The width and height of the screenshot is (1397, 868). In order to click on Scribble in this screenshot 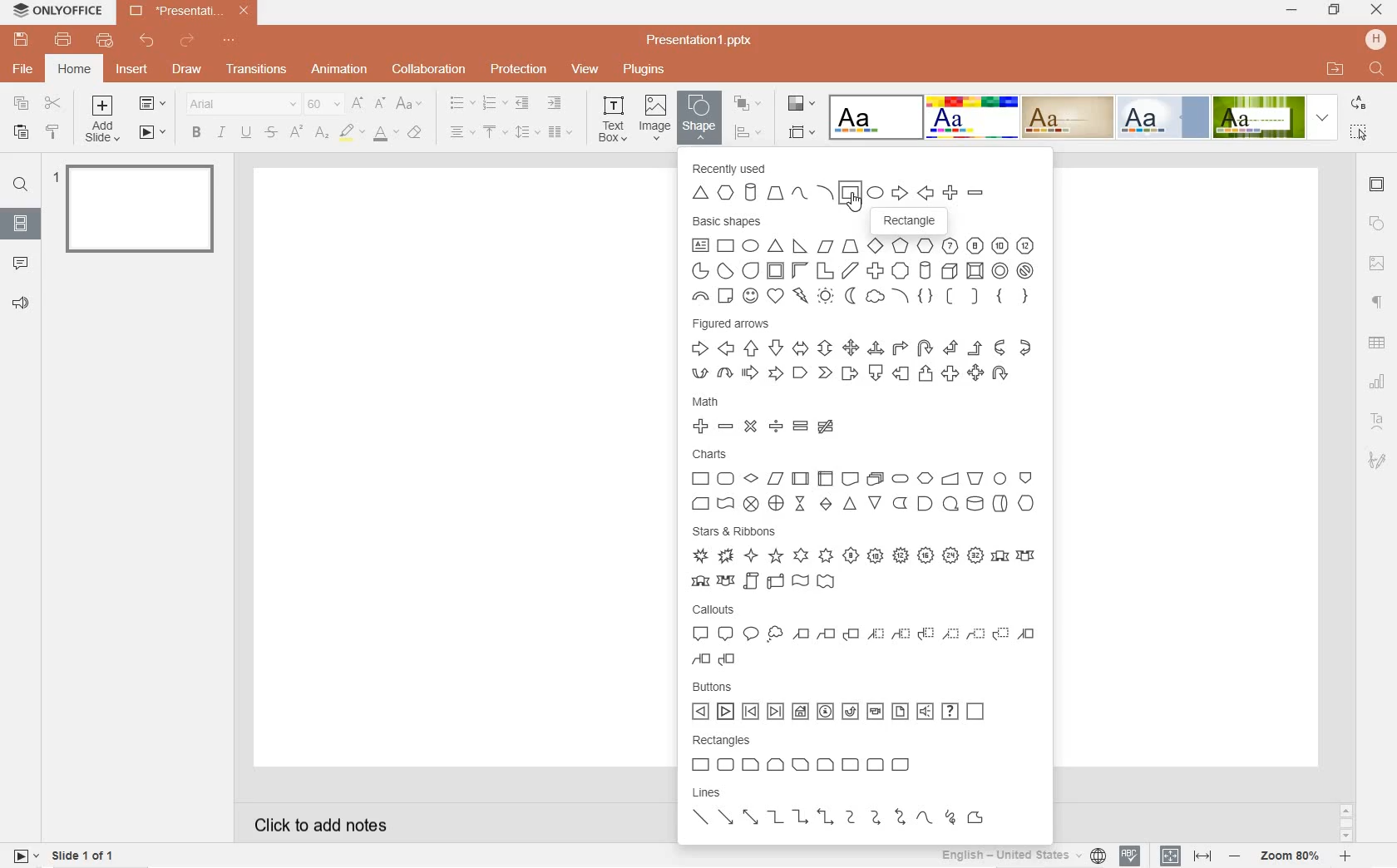, I will do `click(949, 820)`.